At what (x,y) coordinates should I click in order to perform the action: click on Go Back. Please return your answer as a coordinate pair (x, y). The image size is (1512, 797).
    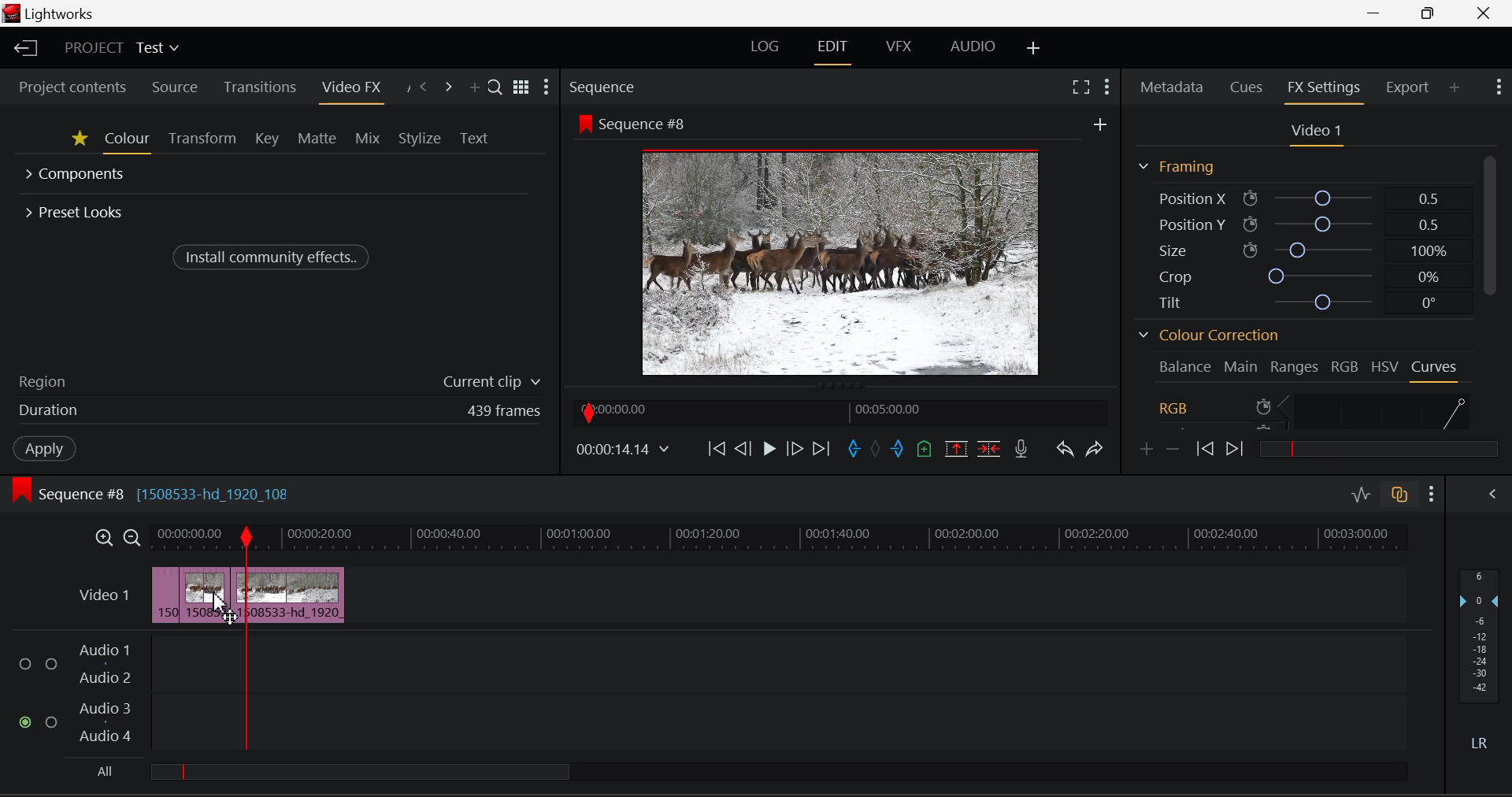
    Looking at the image, I should click on (745, 450).